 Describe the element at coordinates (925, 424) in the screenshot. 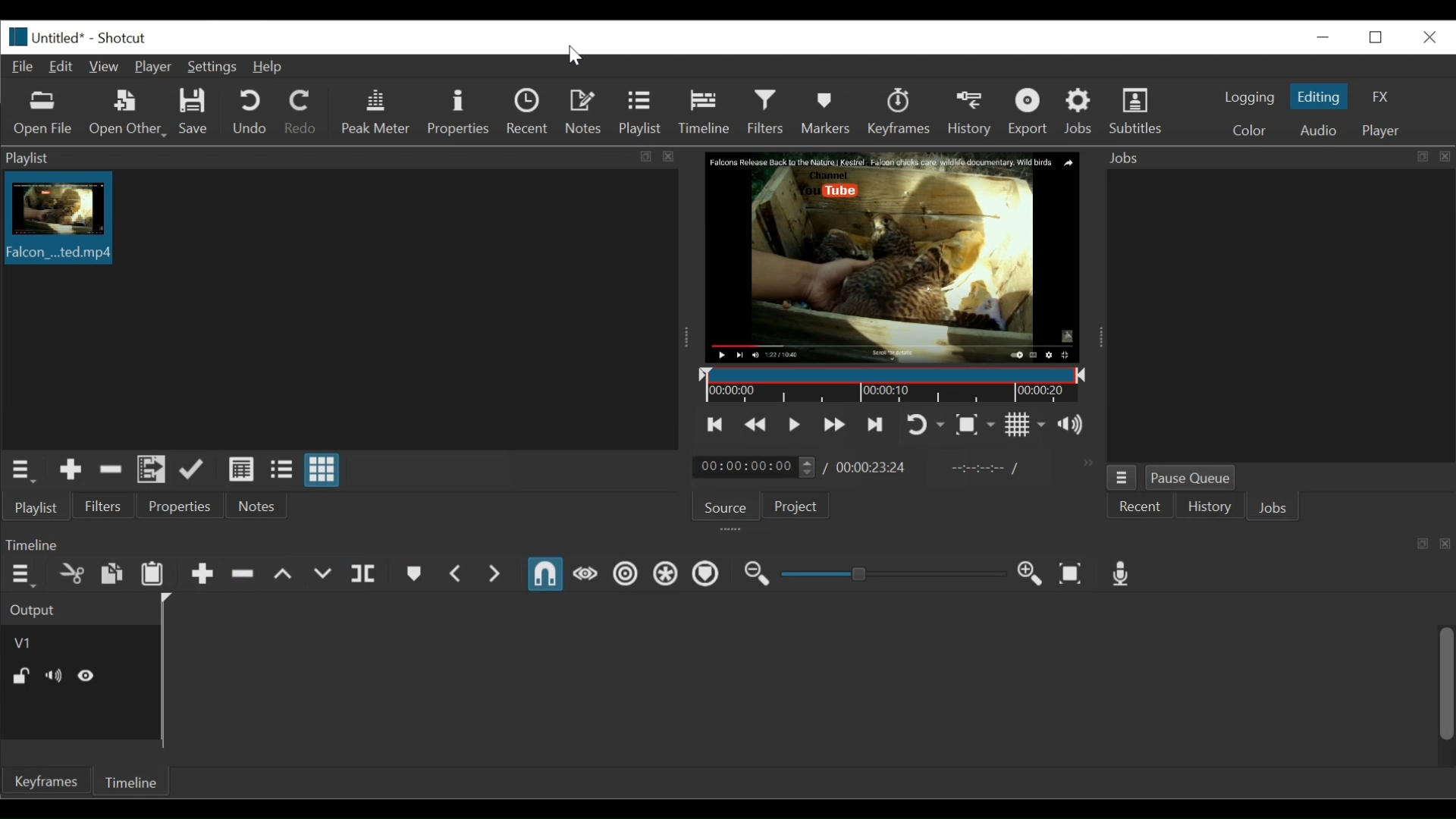

I see `Toggle player looping` at that location.